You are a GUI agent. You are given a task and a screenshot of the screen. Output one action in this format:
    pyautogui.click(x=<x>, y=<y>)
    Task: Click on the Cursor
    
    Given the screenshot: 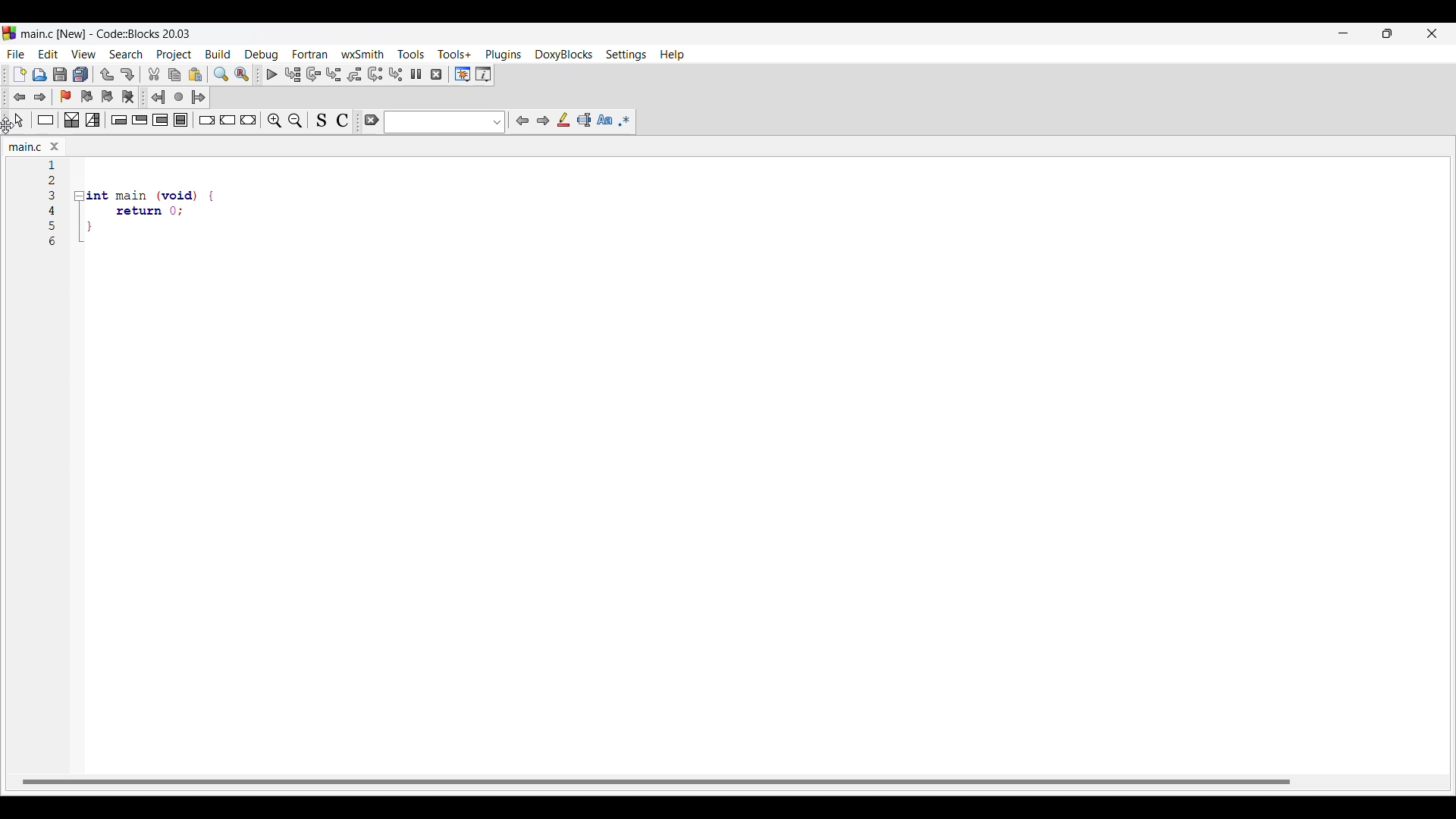 What is the action you would take?
    pyautogui.click(x=9, y=125)
    